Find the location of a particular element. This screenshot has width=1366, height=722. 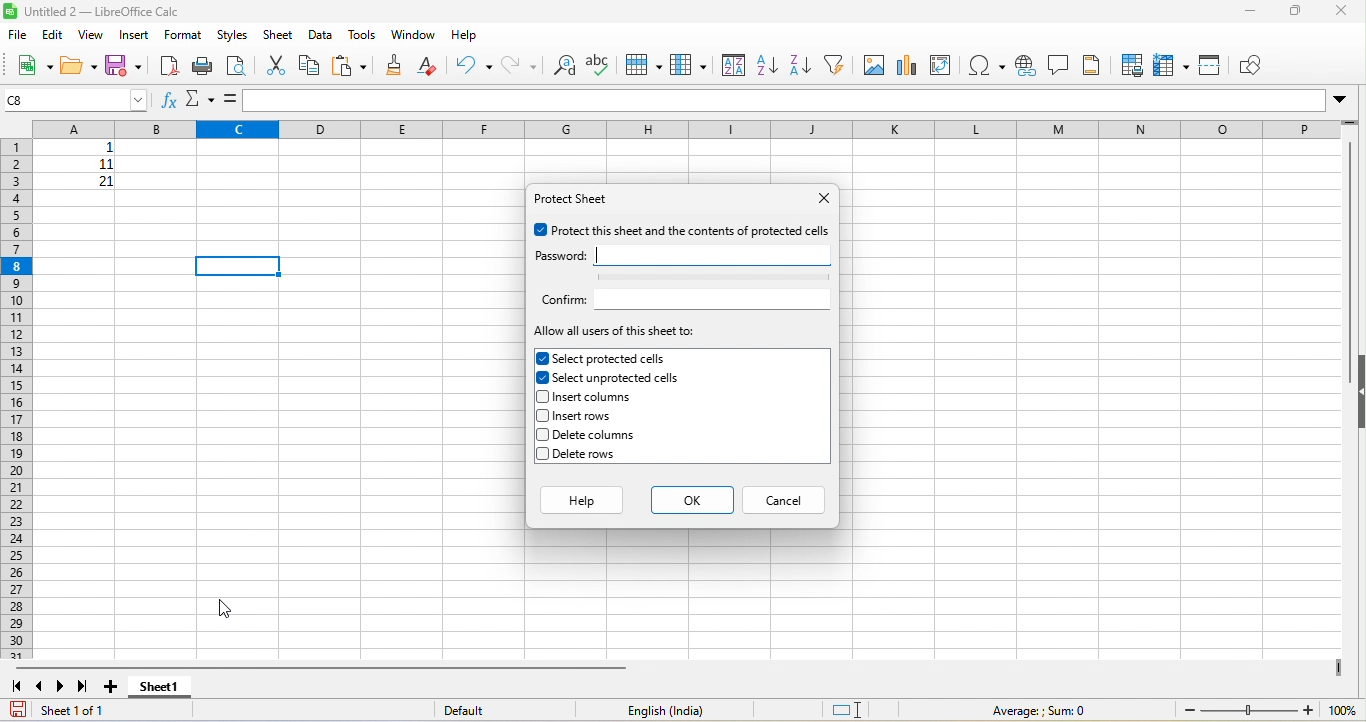

find and replace is located at coordinates (561, 65).